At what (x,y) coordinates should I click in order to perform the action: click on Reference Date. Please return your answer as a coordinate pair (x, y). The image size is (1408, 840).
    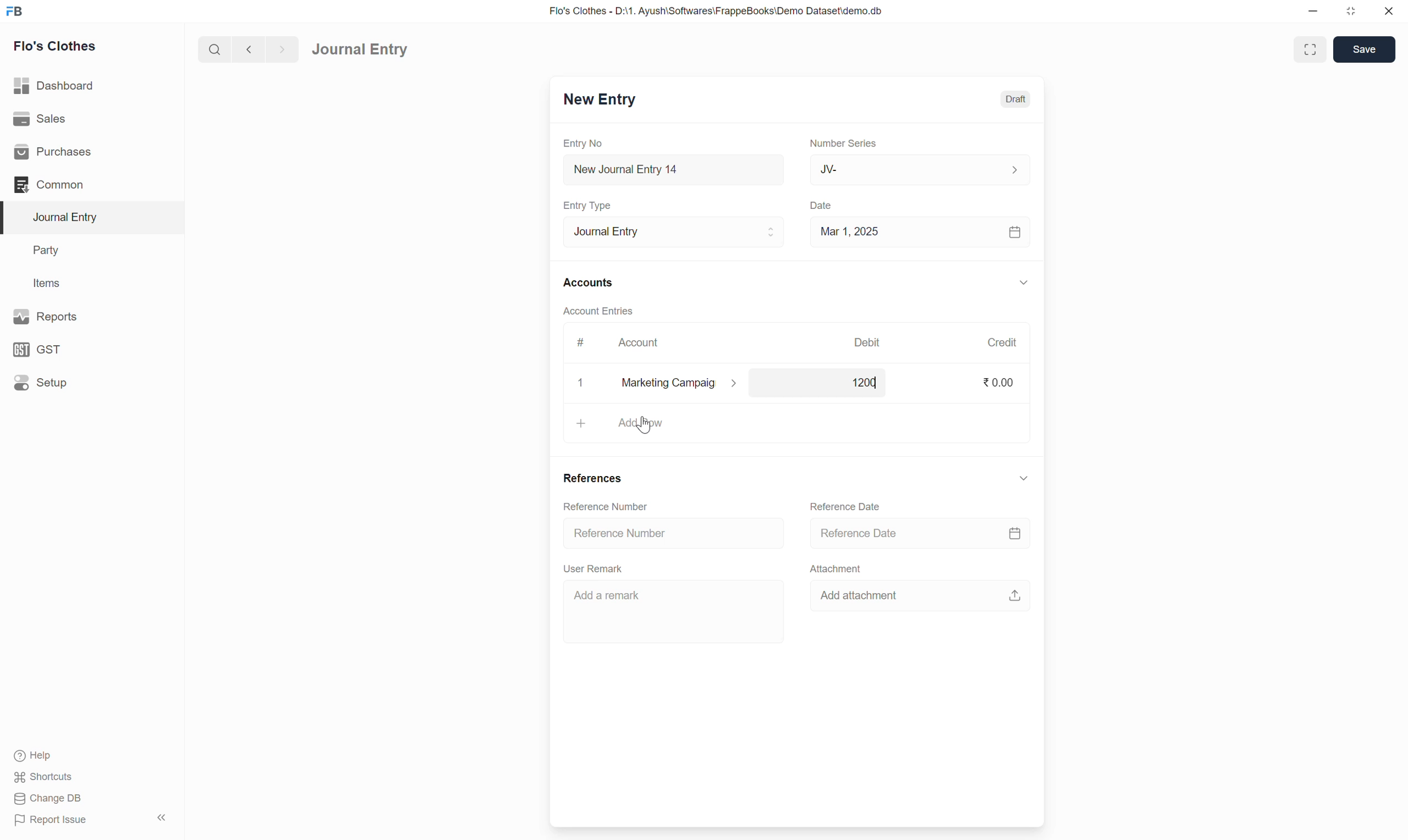
    Looking at the image, I should click on (847, 507).